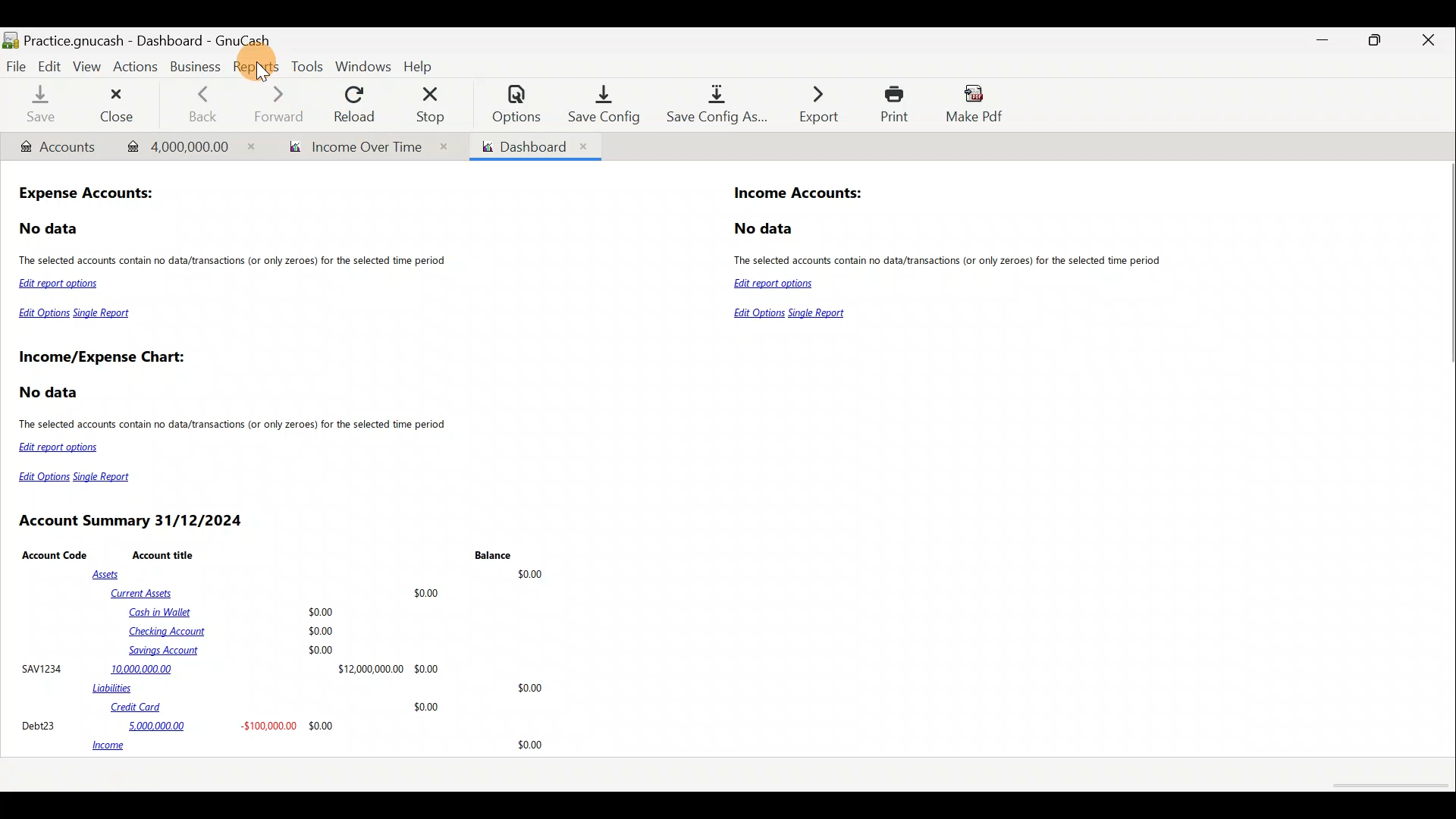 The height and width of the screenshot is (819, 1456). What do you see at coordinates (40, 106) in the screenshot?
I see `Save` at bounding box center [40, 106].